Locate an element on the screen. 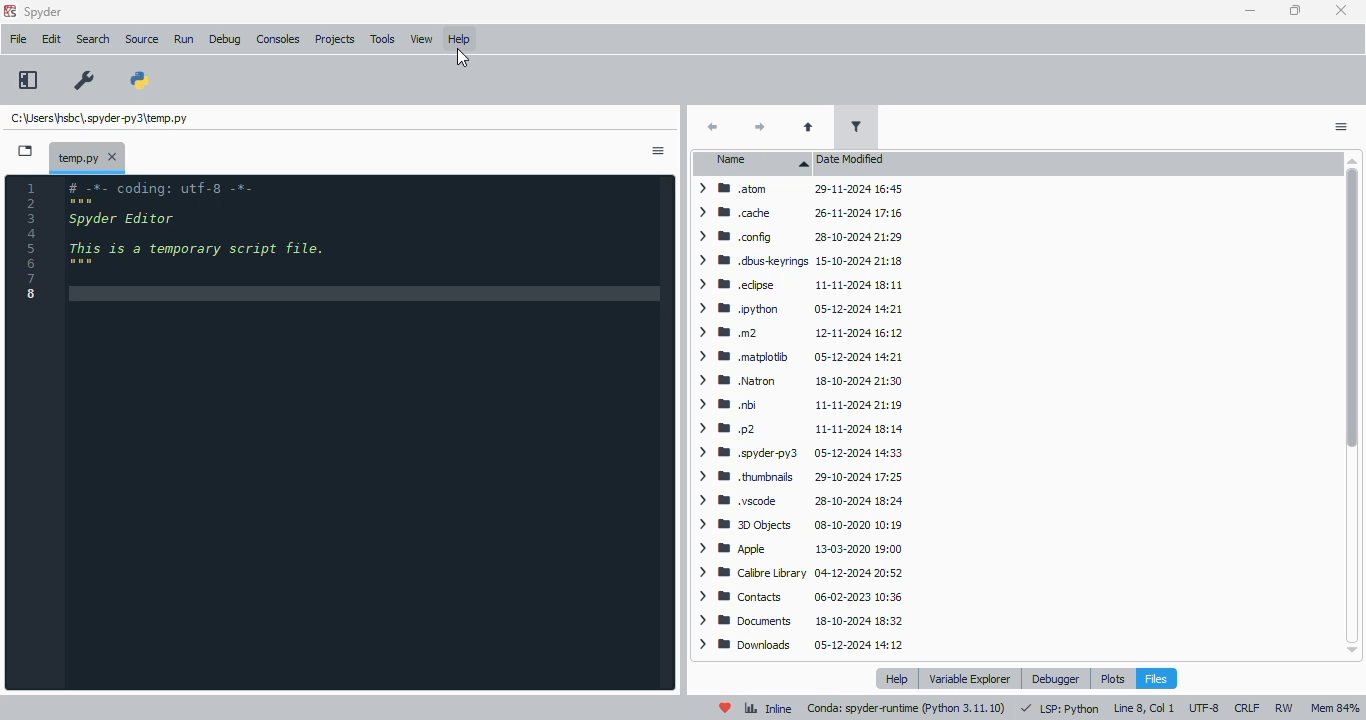 The width and height of the screenshot is (1366, 720). variable explorer is located at coordinates (969, 678).